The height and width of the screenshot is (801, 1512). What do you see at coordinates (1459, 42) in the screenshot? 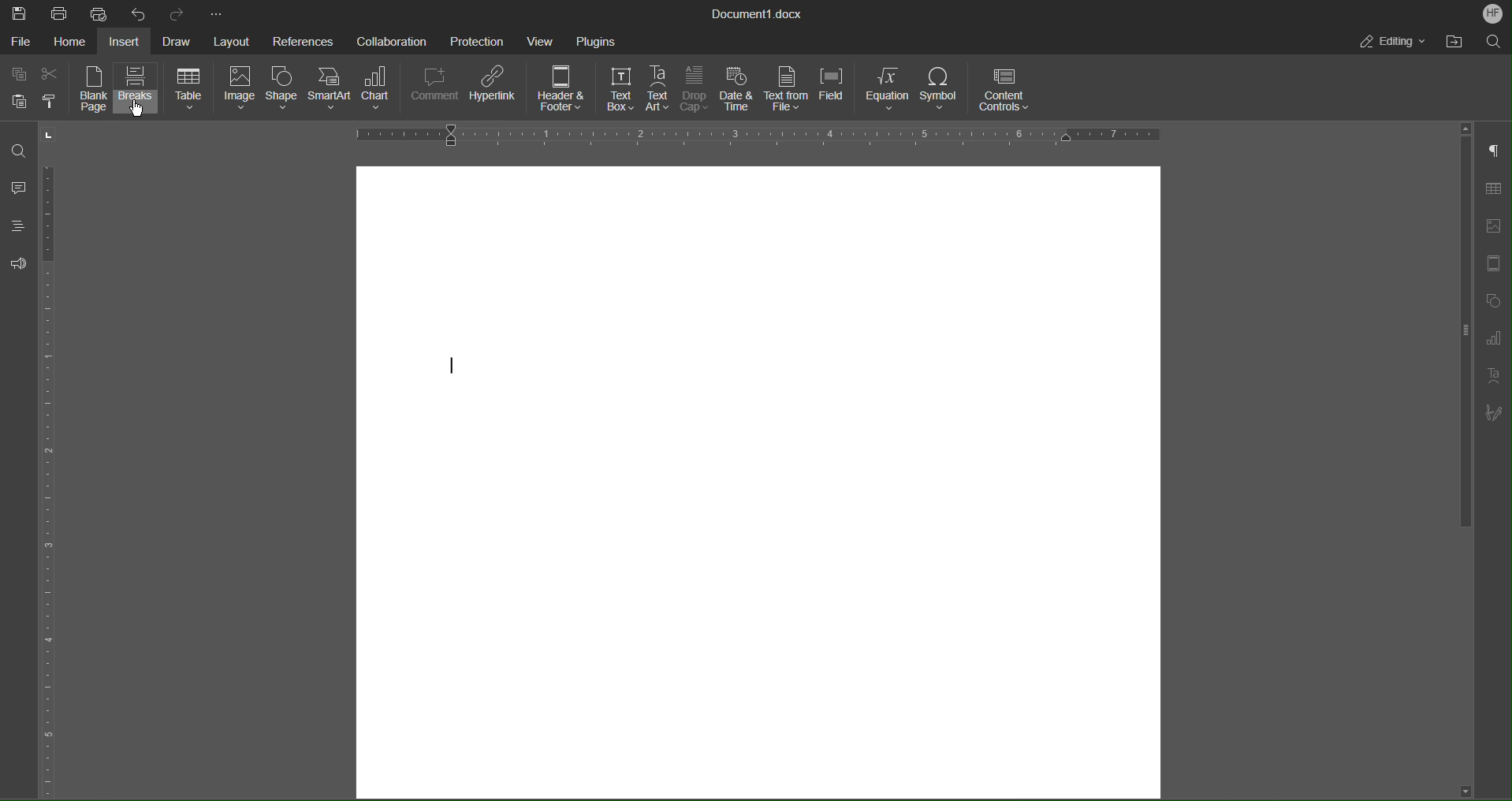
I see `Open File Location` at bounding box center [1459, 42].